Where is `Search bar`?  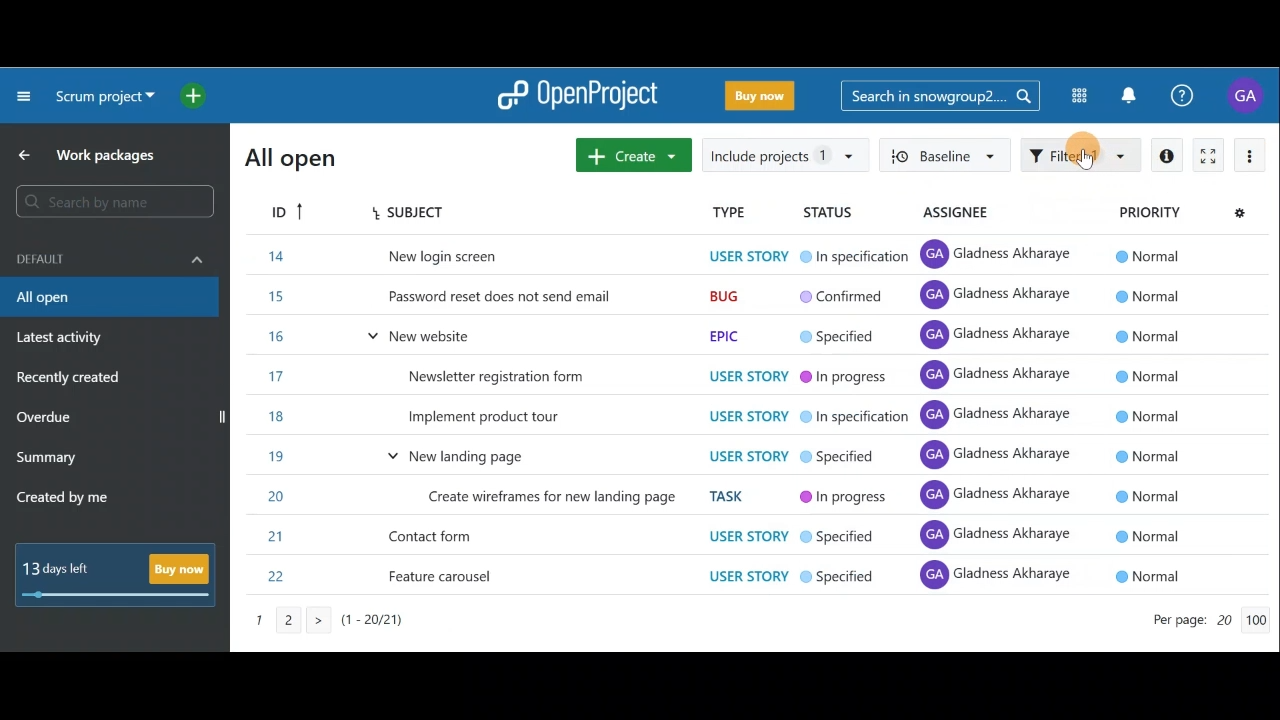
Search bar is located at coordinates (113, 205).